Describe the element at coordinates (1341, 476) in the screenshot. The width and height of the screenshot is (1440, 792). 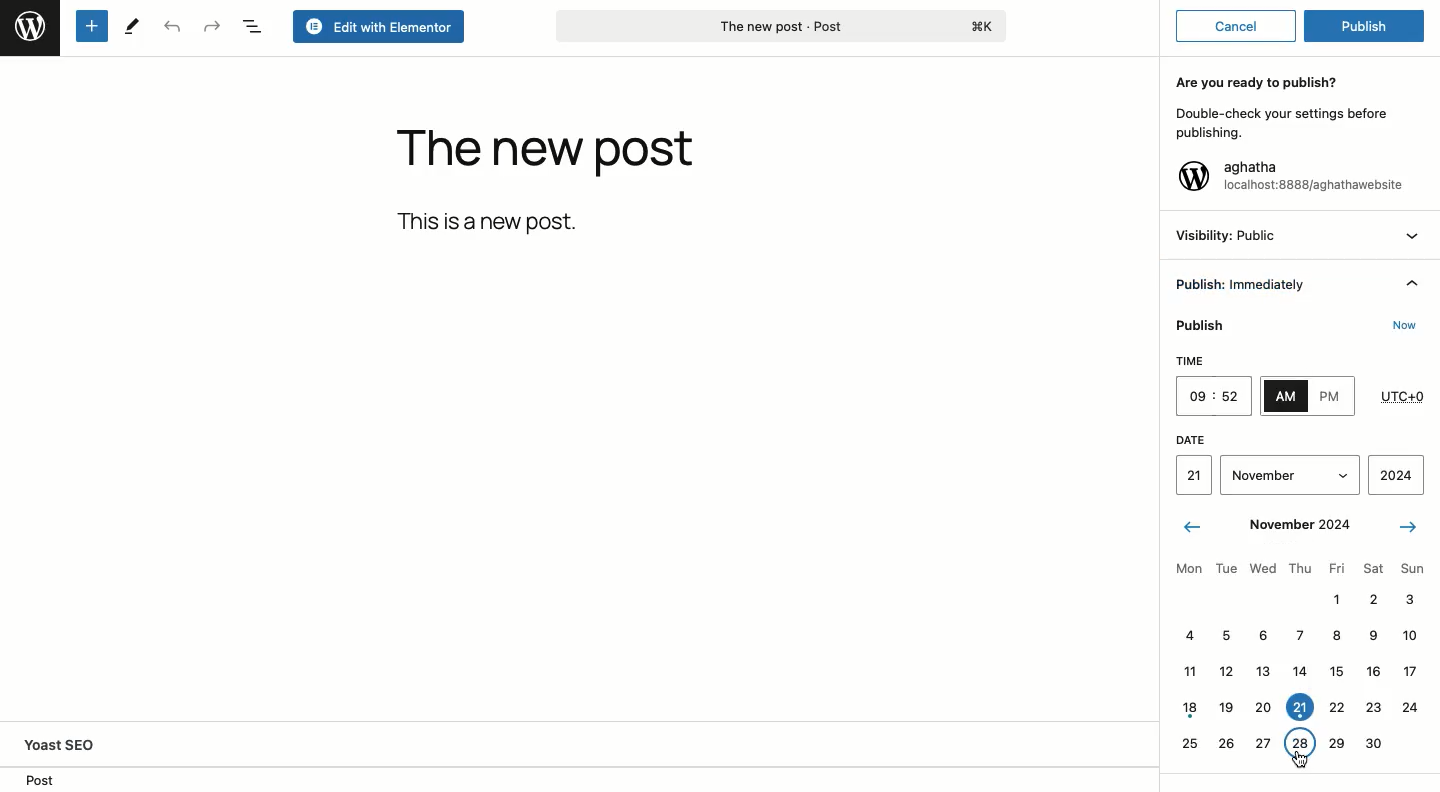
I see `Expand` at that location.